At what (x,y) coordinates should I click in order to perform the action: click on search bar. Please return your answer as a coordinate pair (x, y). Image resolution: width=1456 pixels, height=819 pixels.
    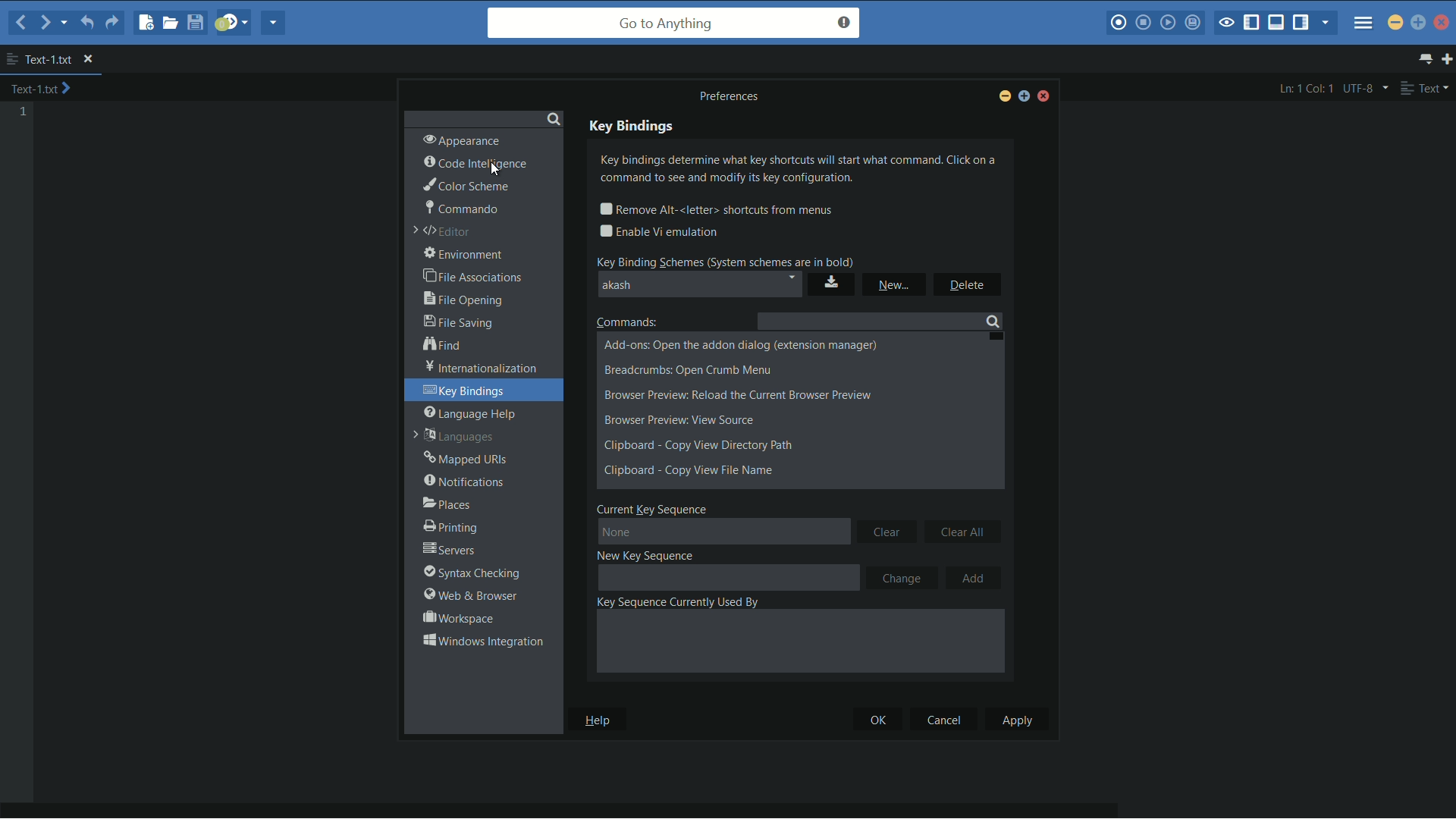
    Looking at the image, I should click on (877, 321).